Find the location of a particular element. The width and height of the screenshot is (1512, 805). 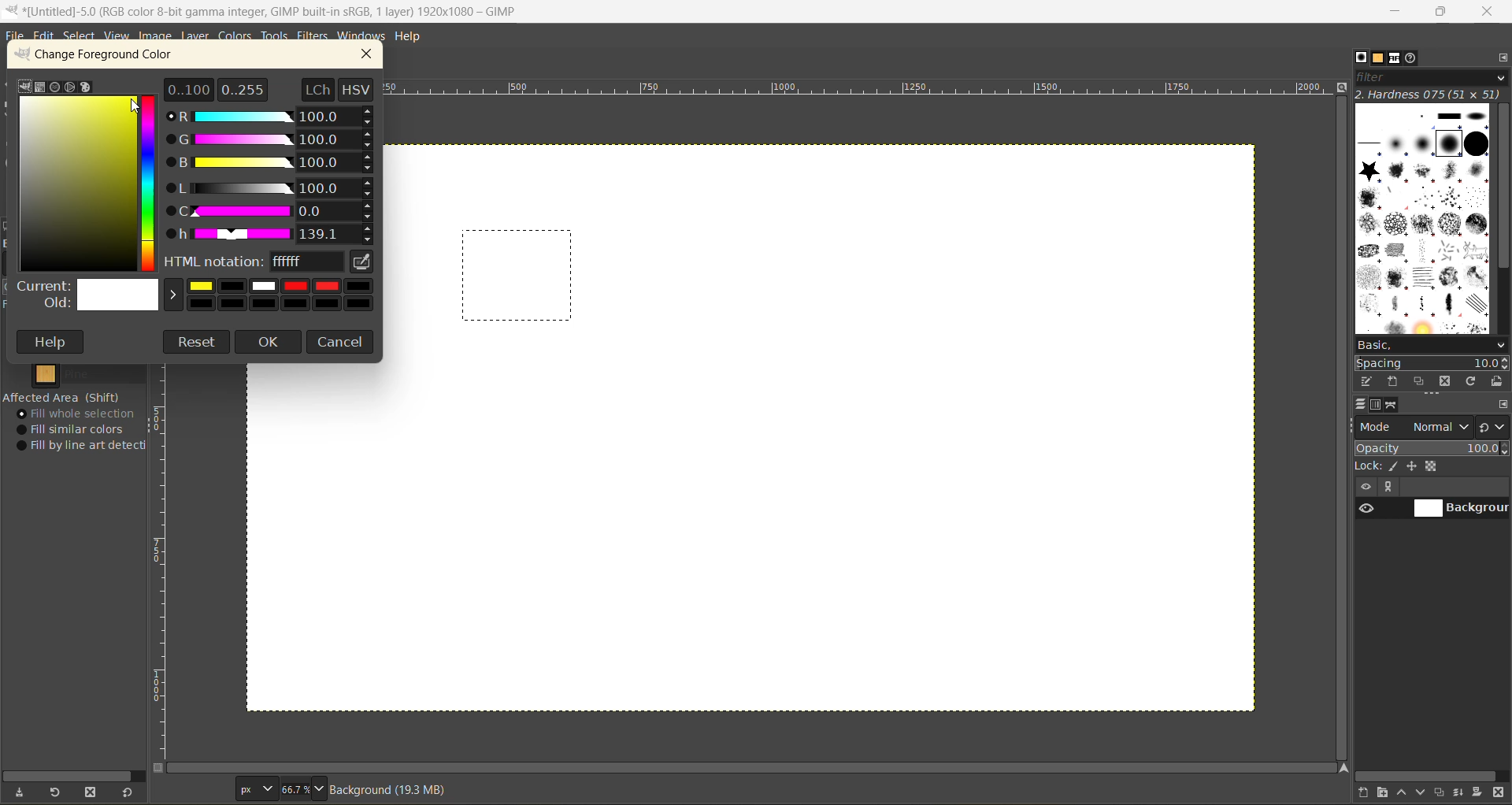

more is located at coordinates (1393, 488).